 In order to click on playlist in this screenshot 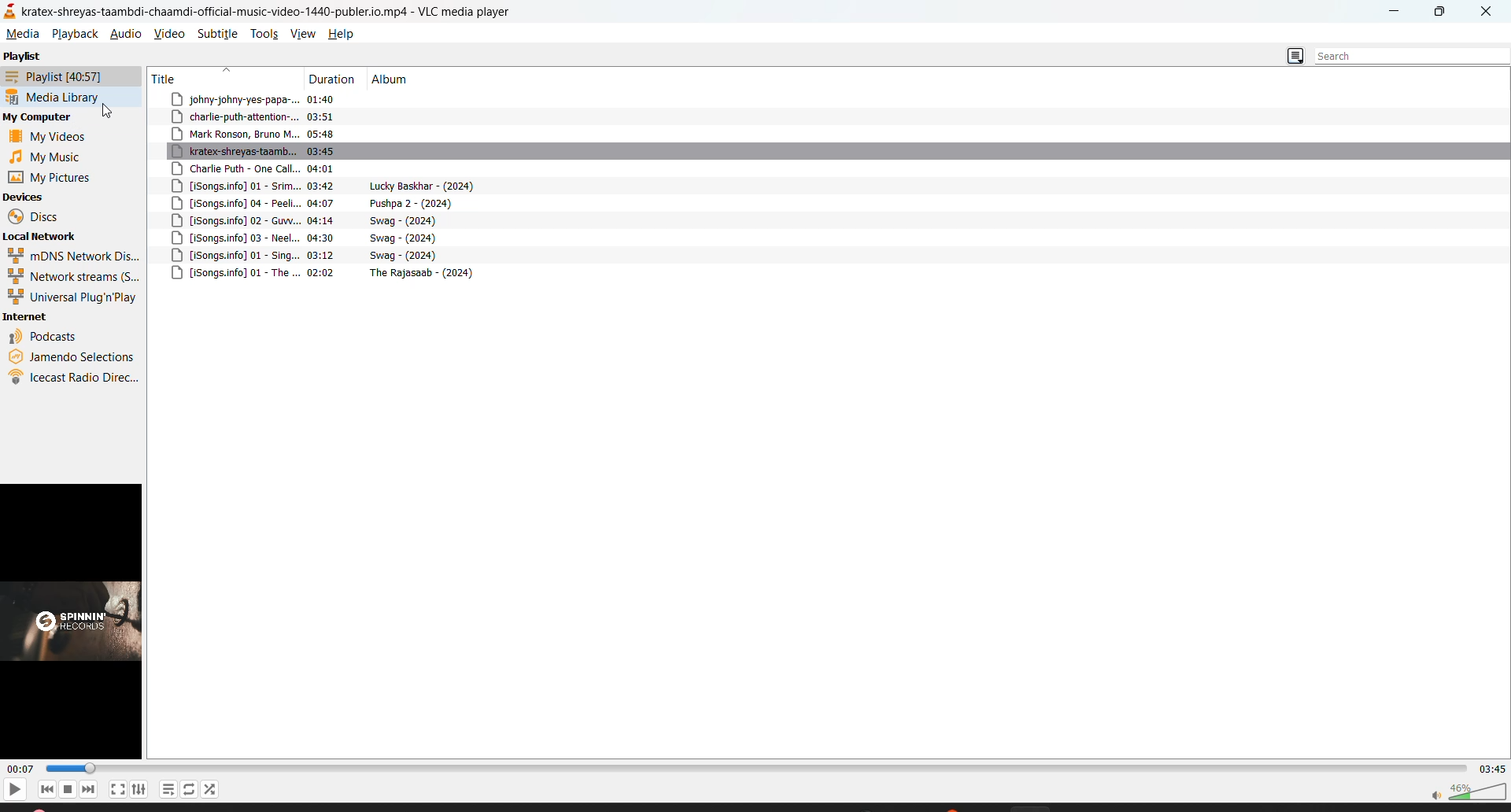, I will do `click(166, 789)`.